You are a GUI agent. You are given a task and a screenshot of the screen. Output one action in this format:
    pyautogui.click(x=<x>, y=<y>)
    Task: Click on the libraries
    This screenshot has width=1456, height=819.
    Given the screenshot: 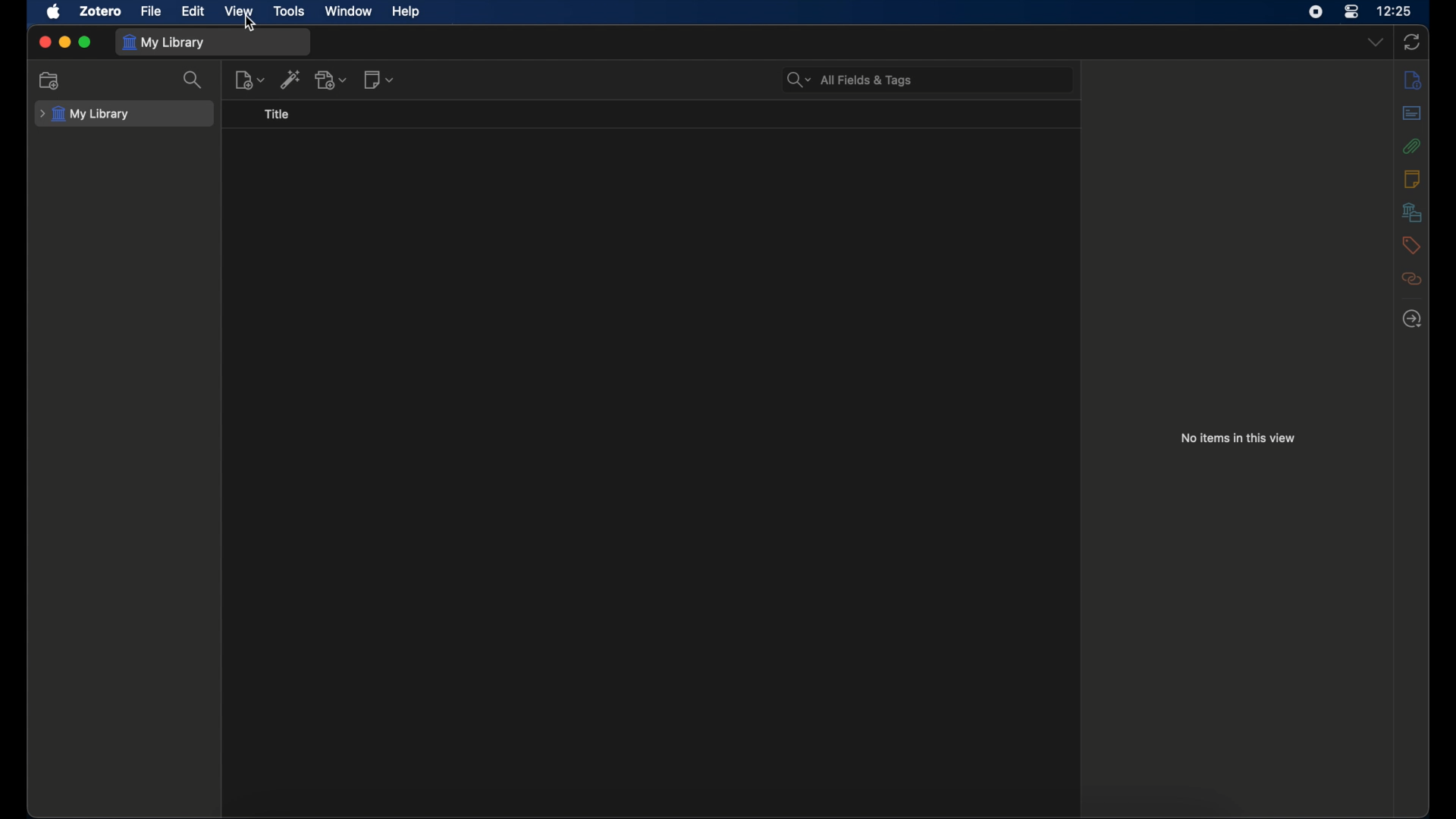 What is the action you would take?
    pyautogui.click(x=1412, y=212)
    